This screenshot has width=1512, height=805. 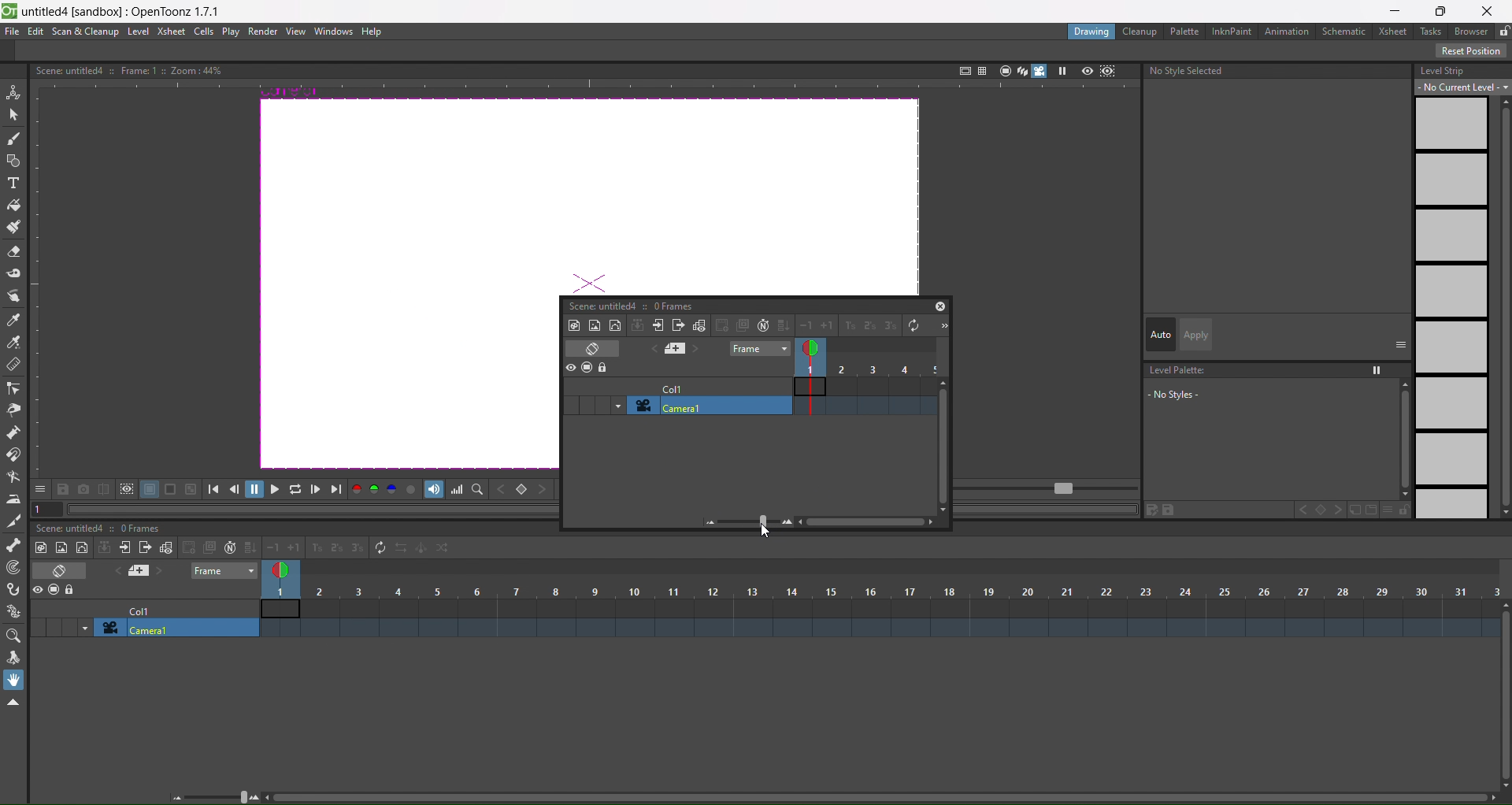 I want to click on type tool, so click(x=13, y=185).